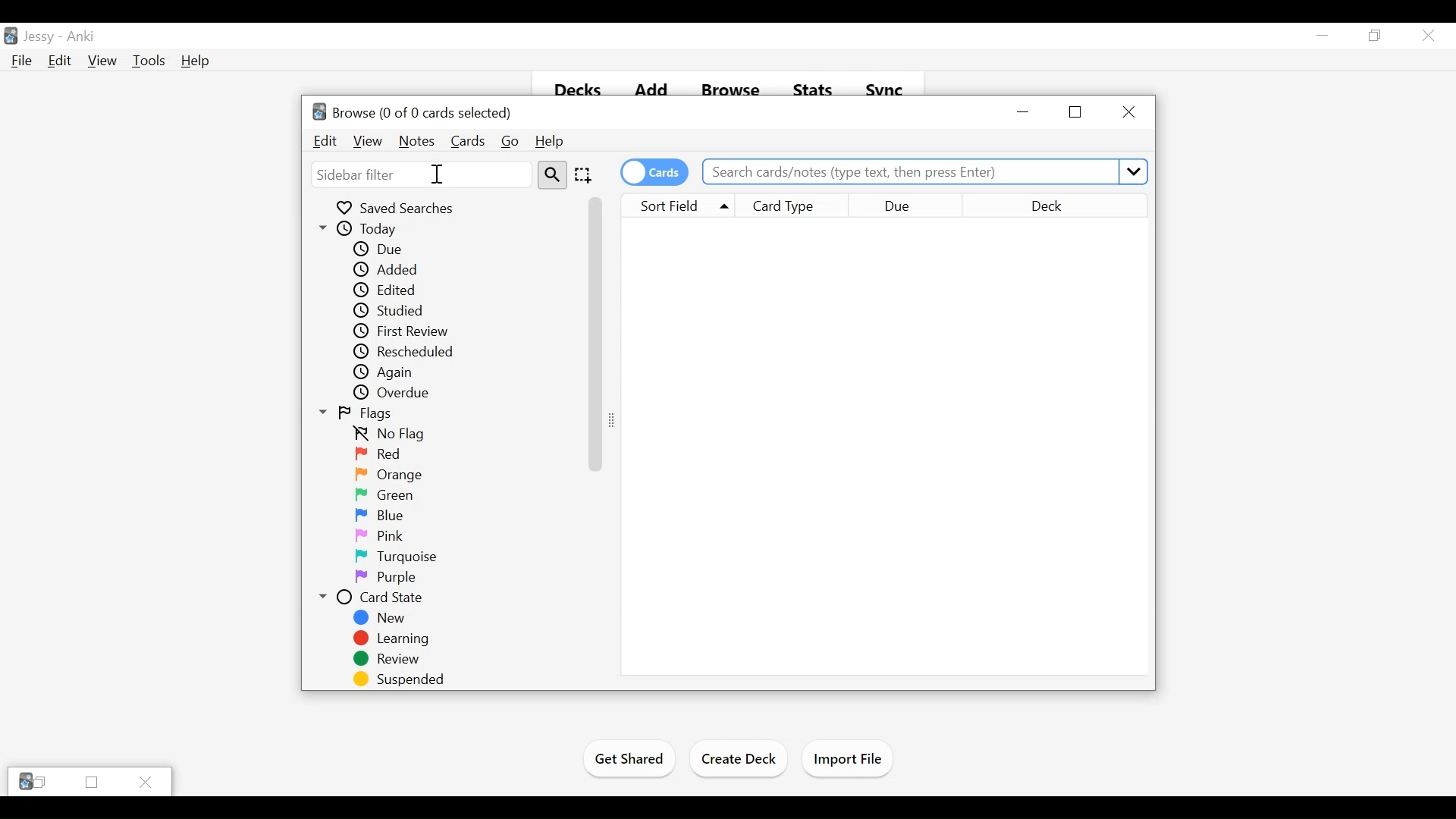 The height and width of the screenshot is (819, 1456). I want to click on Edit, so click(326, 142).